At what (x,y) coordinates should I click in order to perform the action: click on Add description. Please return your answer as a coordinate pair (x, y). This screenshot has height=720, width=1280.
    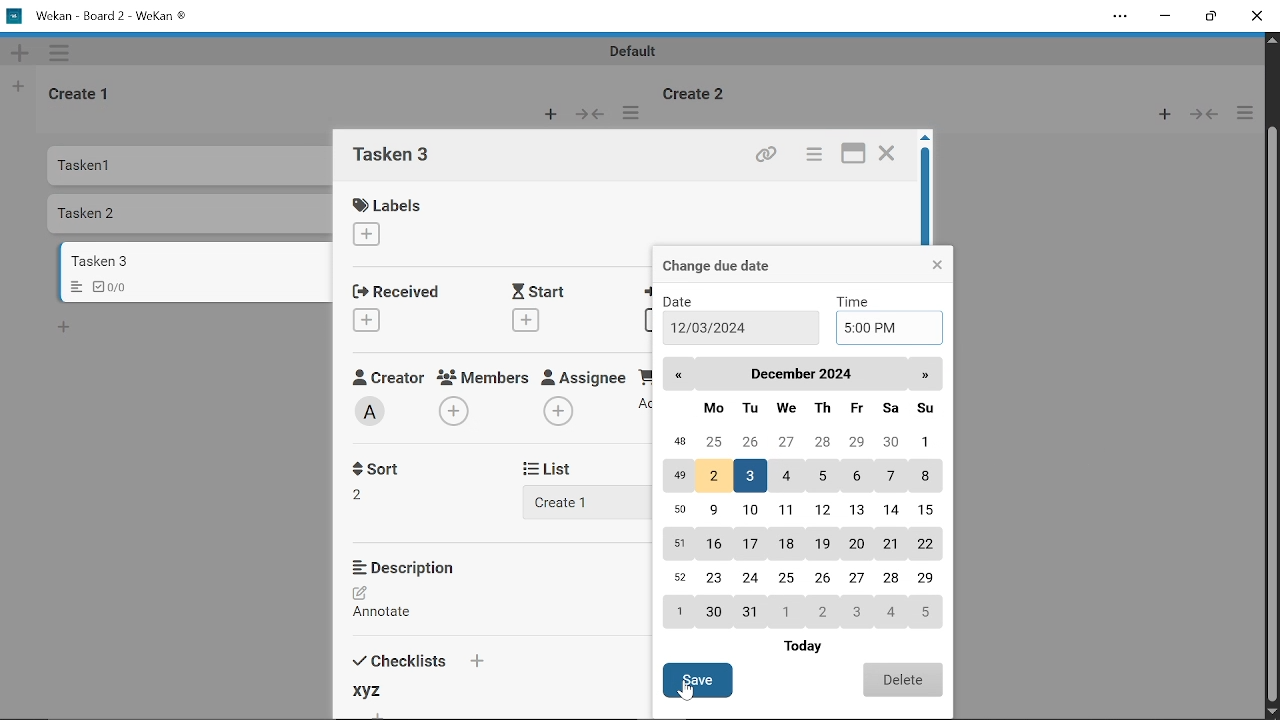
    Looking at the image, I should click on (392, 605).